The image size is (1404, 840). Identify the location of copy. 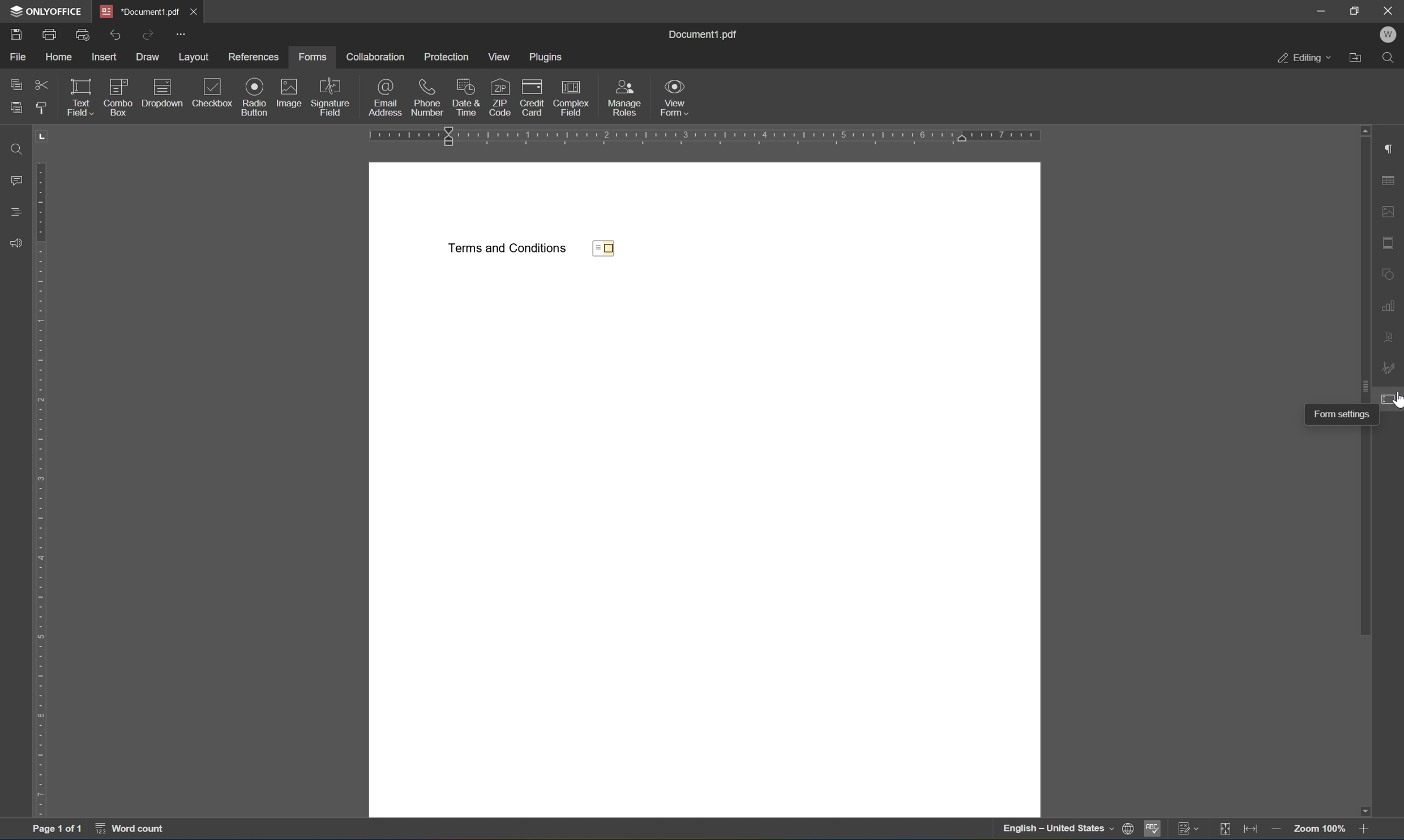
(17, 84).